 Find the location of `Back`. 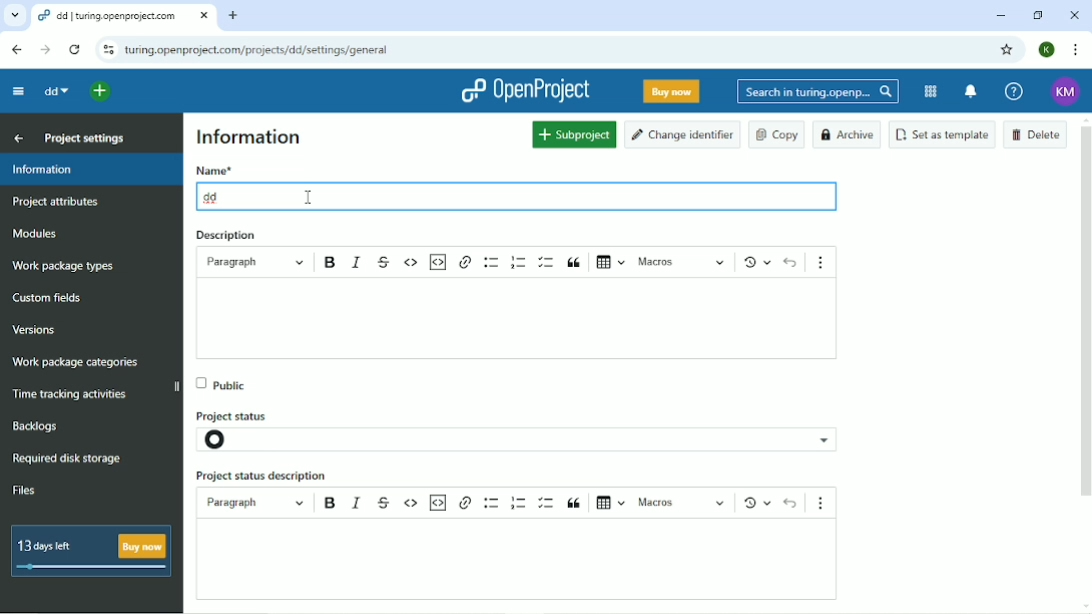

Back is located at coordinates (16, 138).